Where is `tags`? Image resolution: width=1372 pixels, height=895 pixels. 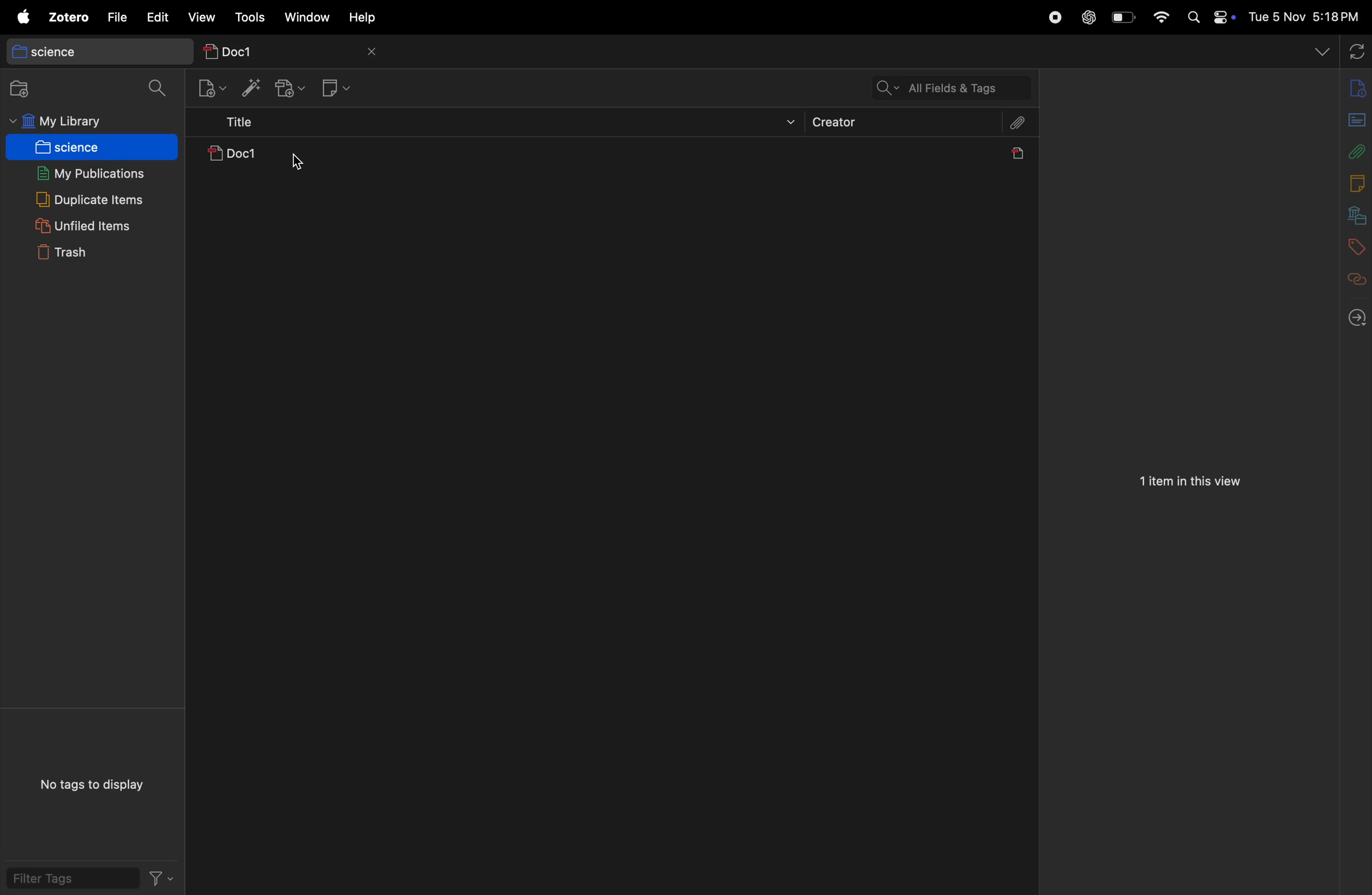
tags is located at coordinates (1352, 243).